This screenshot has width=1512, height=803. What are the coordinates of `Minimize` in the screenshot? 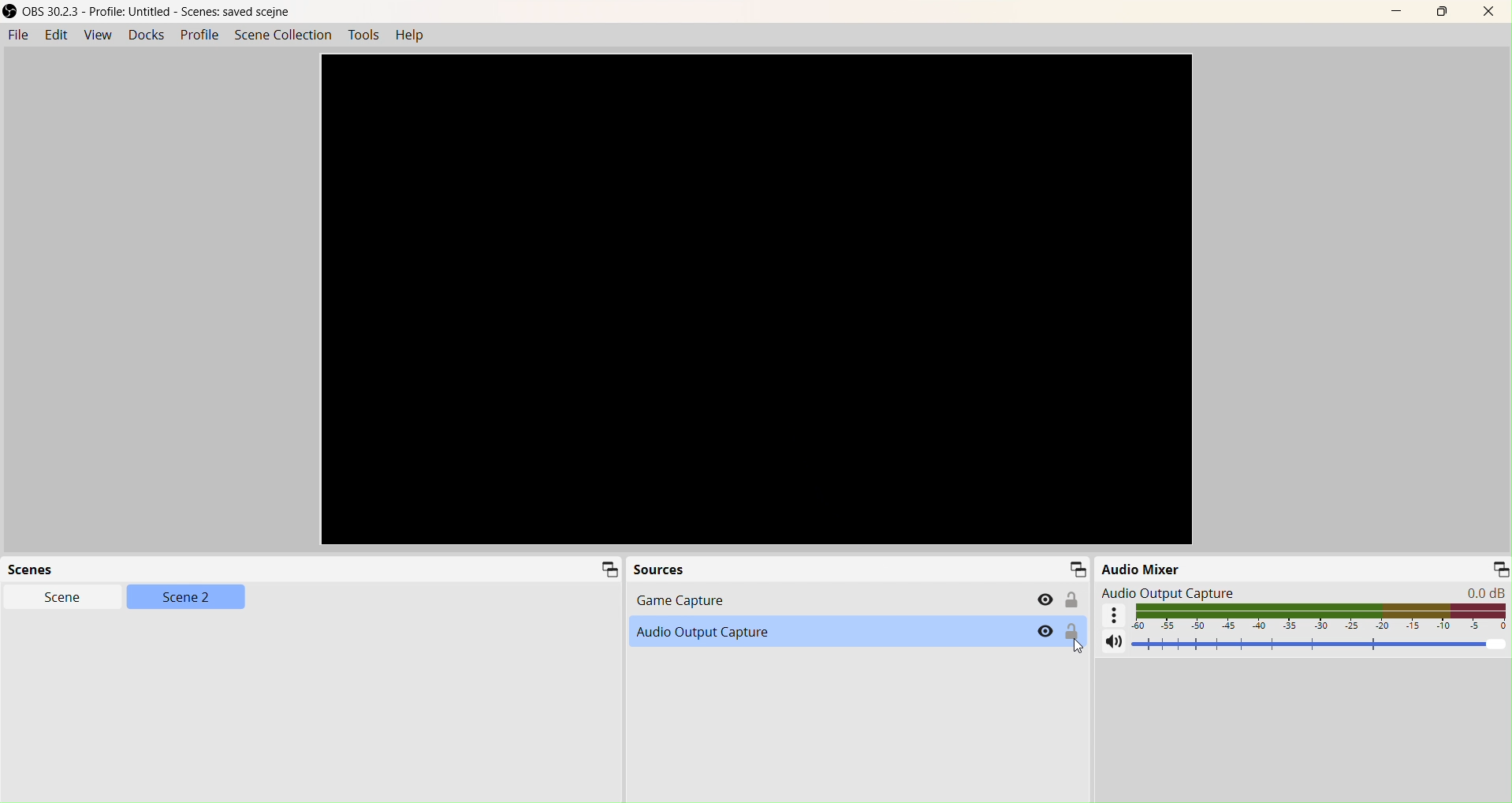 It's located at (1401, 12).